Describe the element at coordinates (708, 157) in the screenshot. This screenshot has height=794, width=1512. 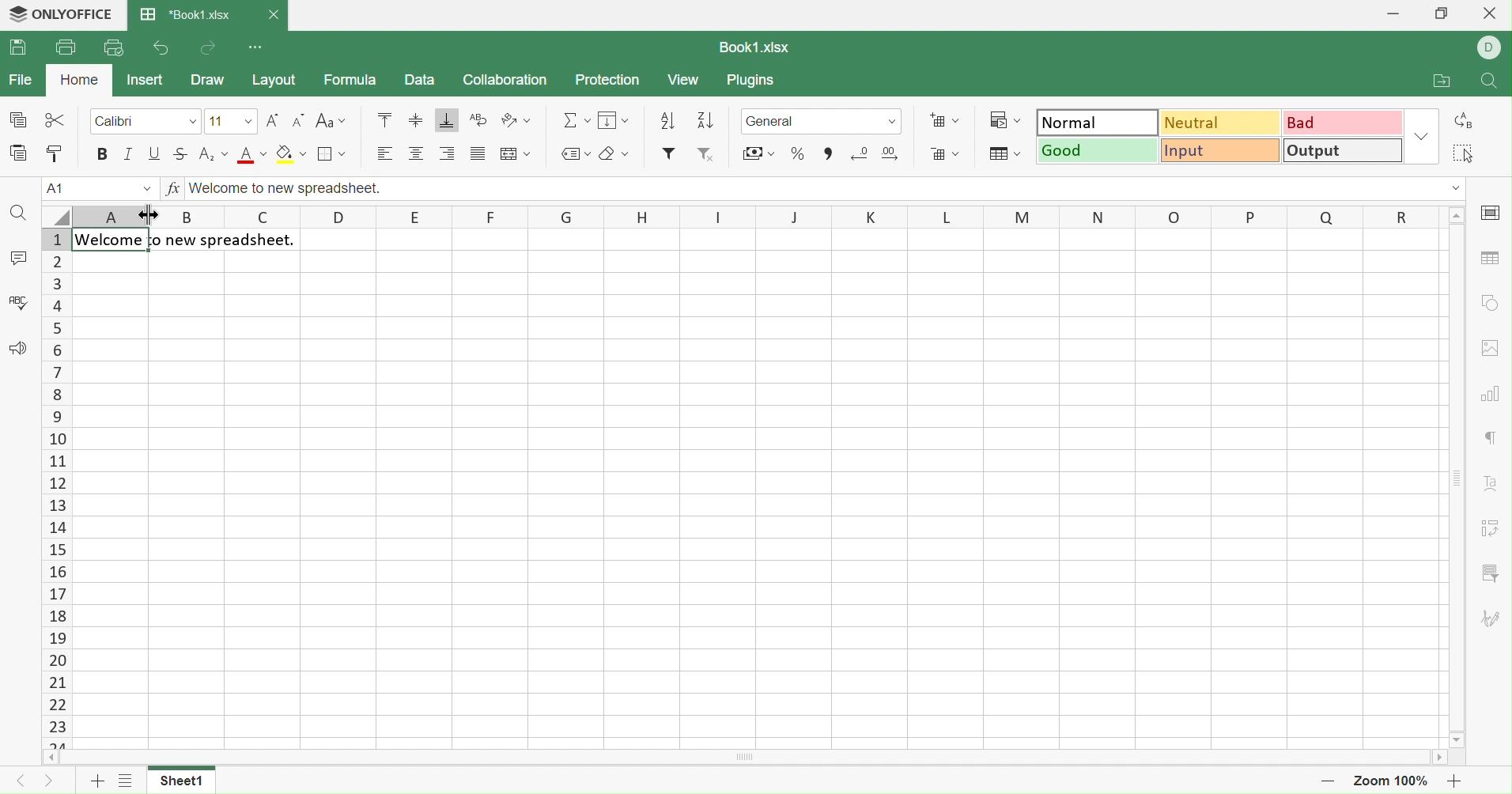
I see `Remove style` at that location.